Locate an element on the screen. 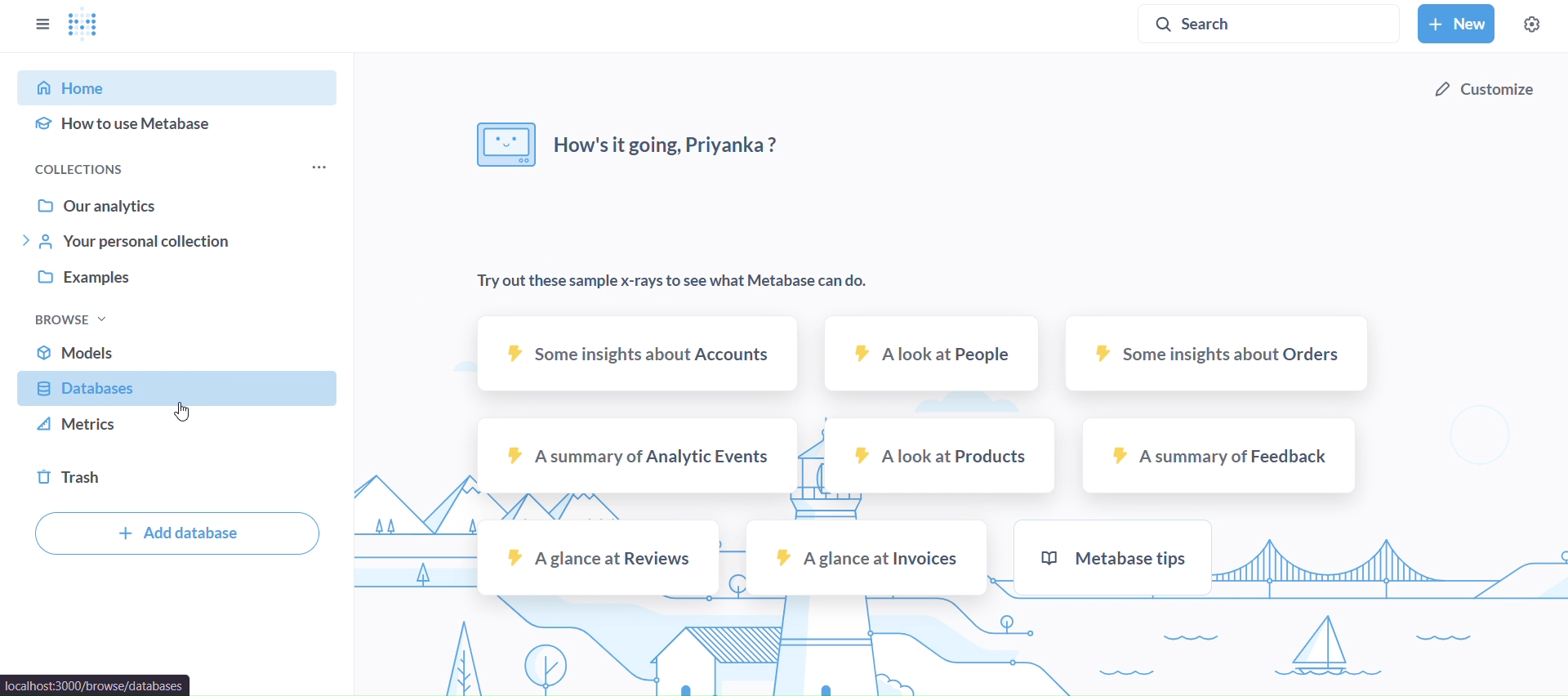 The width and height of the screenshot is (1568, 696). a summary of nalytic events is located at coordinates (637, 456).